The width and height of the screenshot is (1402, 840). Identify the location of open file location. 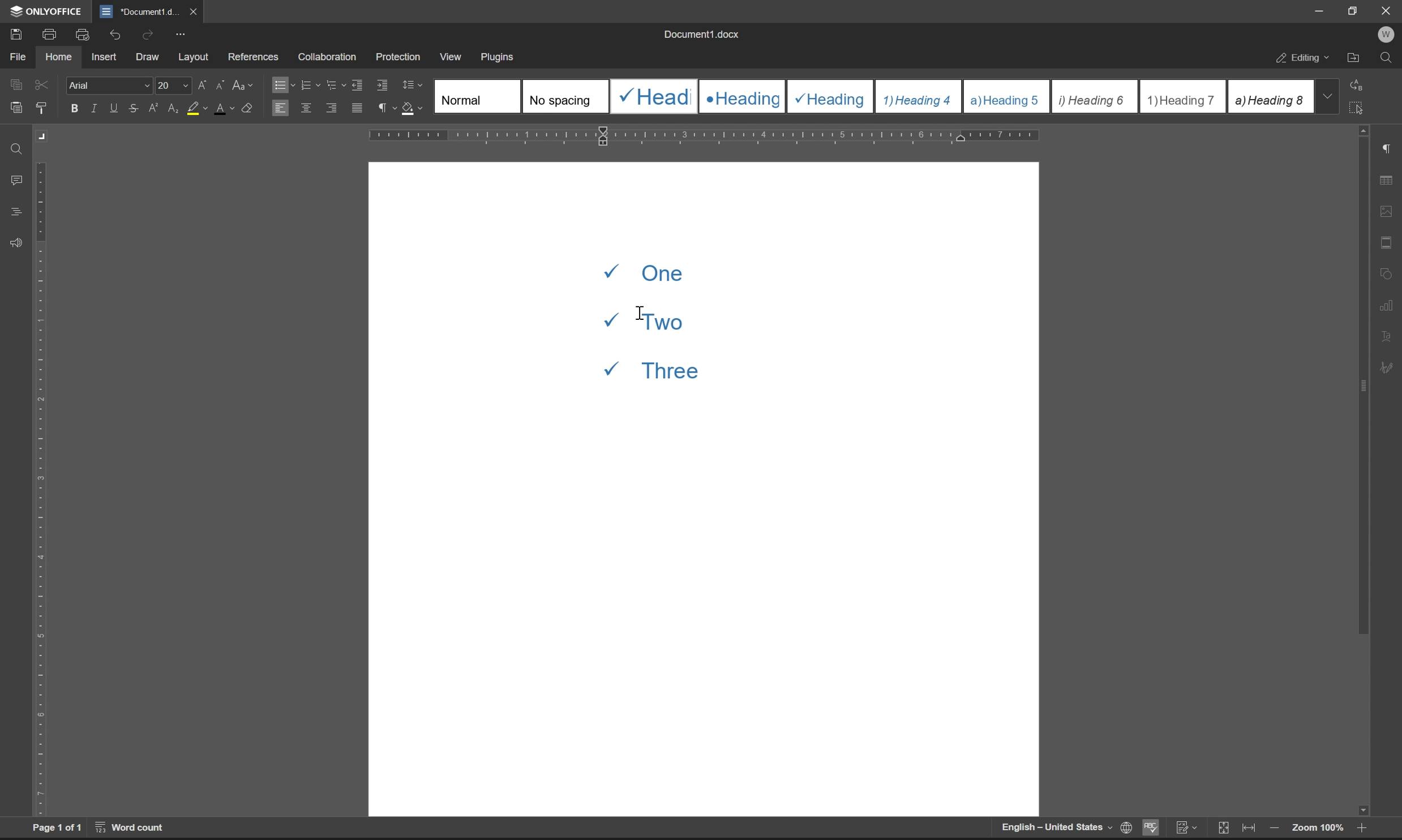
(1354, 59).